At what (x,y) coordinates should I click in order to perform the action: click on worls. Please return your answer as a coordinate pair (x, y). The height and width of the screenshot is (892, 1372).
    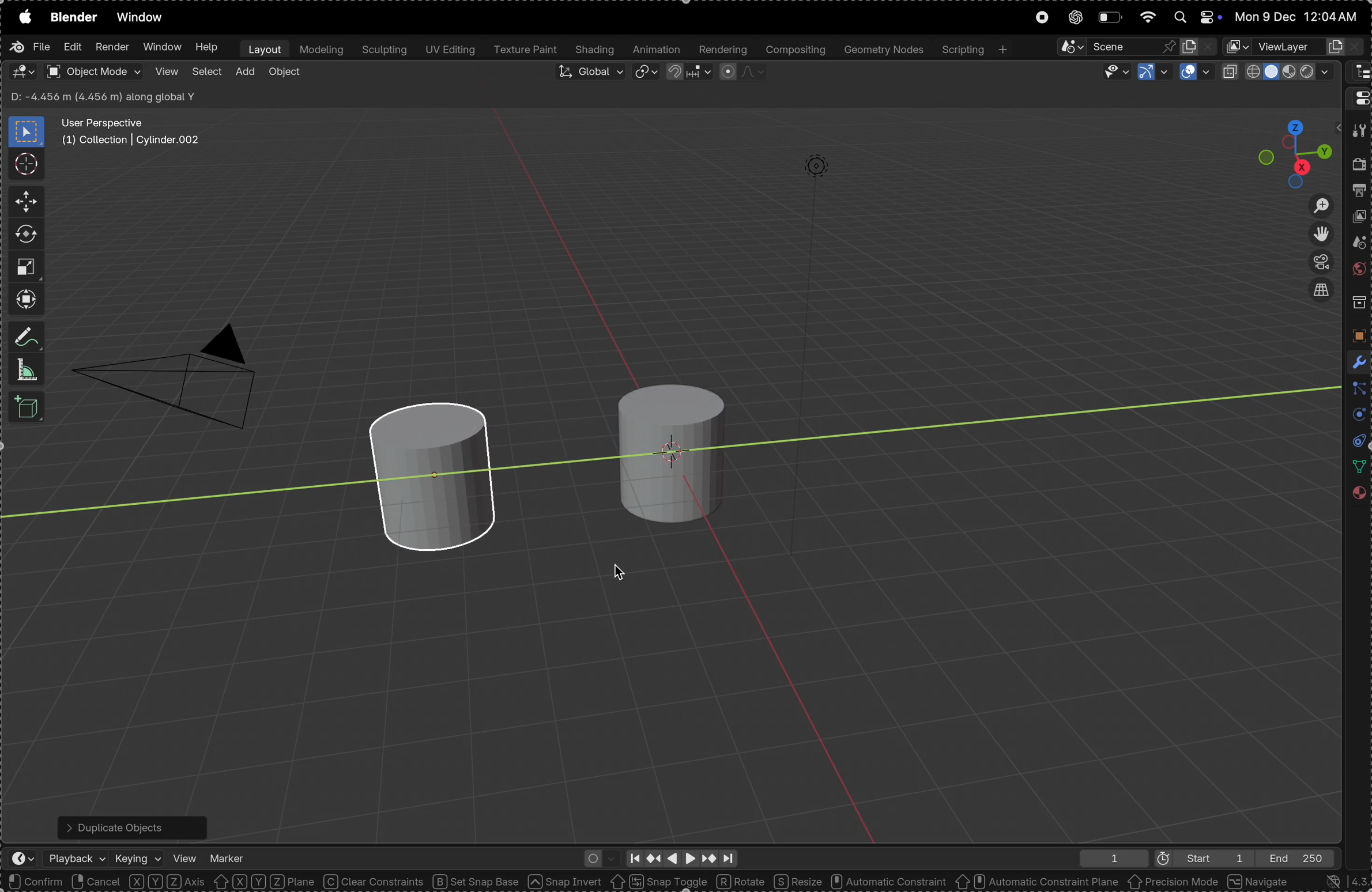
    Looking at the image, I should click on (1358, 271).